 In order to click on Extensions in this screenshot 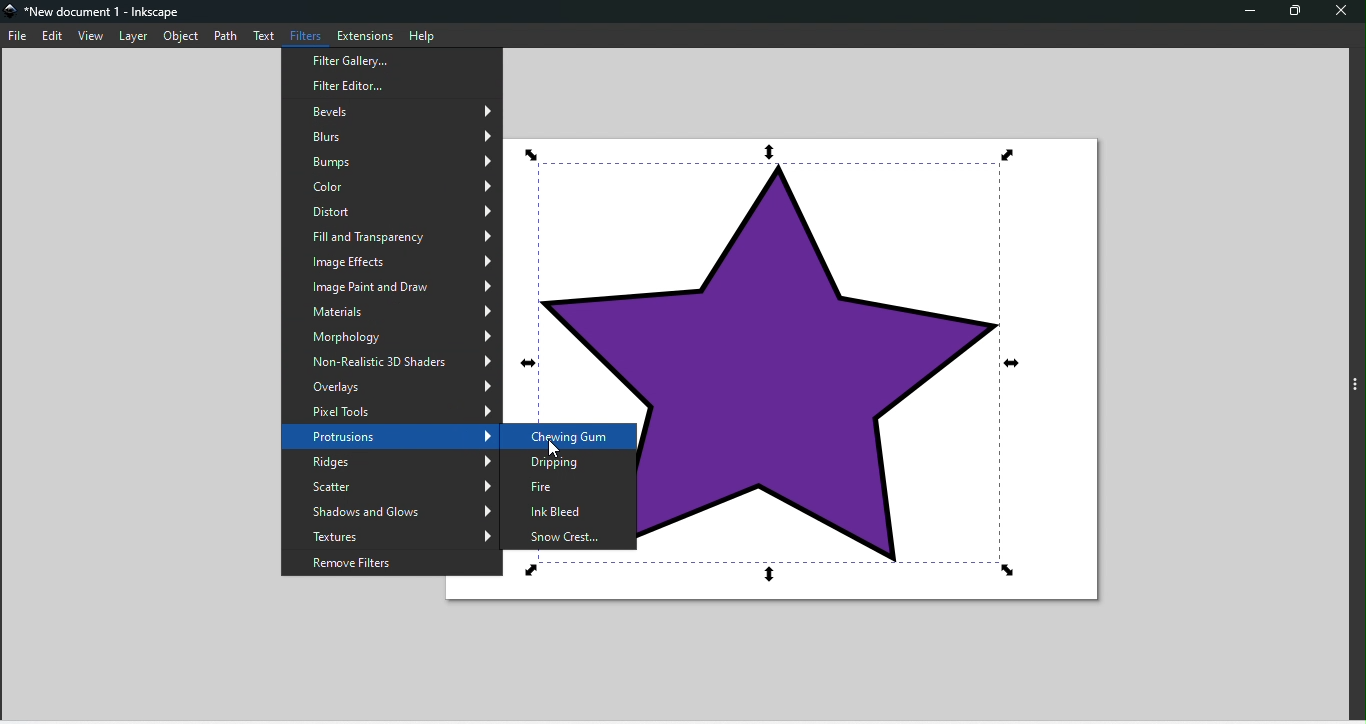, I will do `click(364, 34)`.